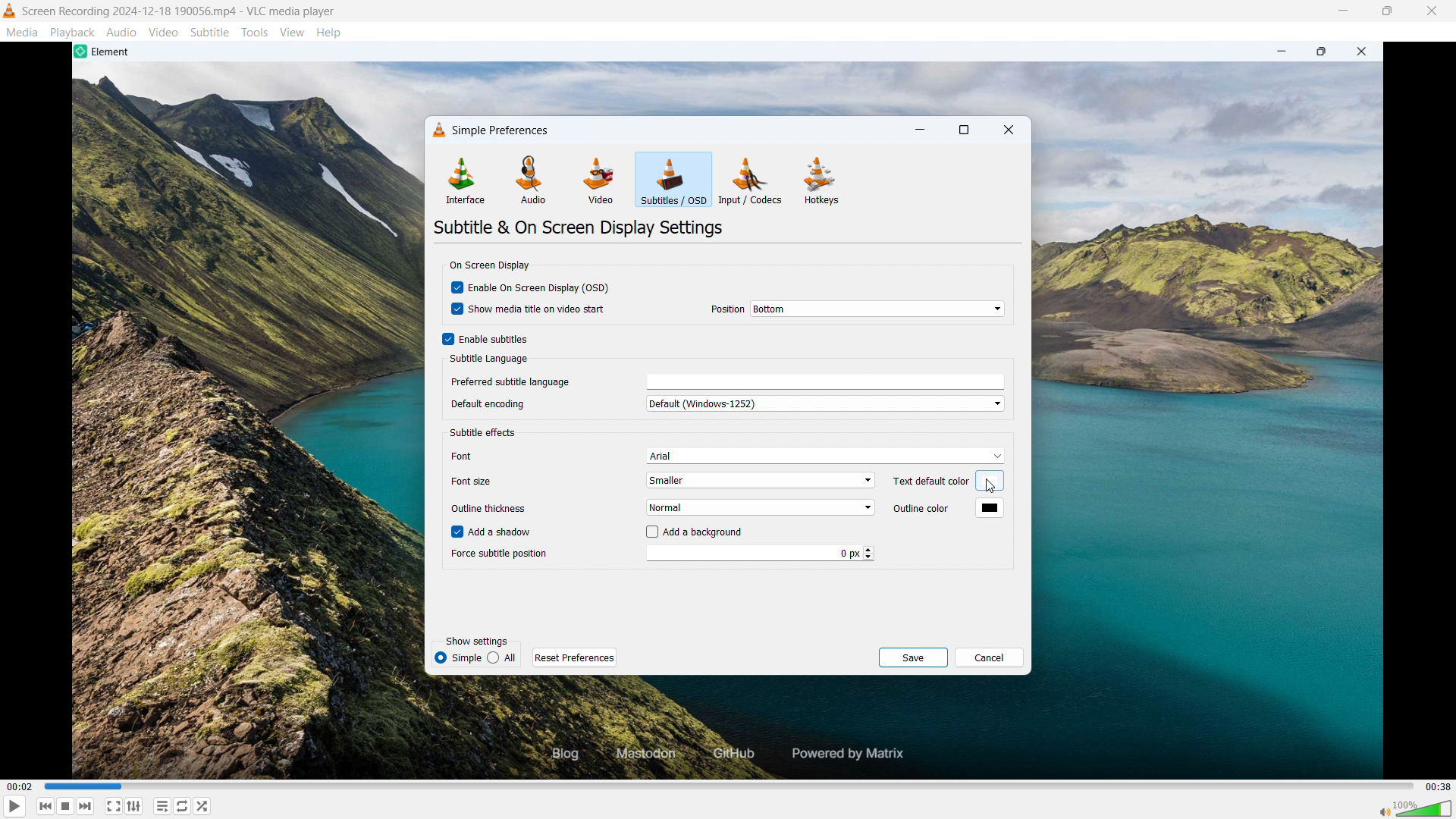  What do you see at coordinates (255, 32) in the screenshot?
I see `Tools ` at bounding box center [255, 32].